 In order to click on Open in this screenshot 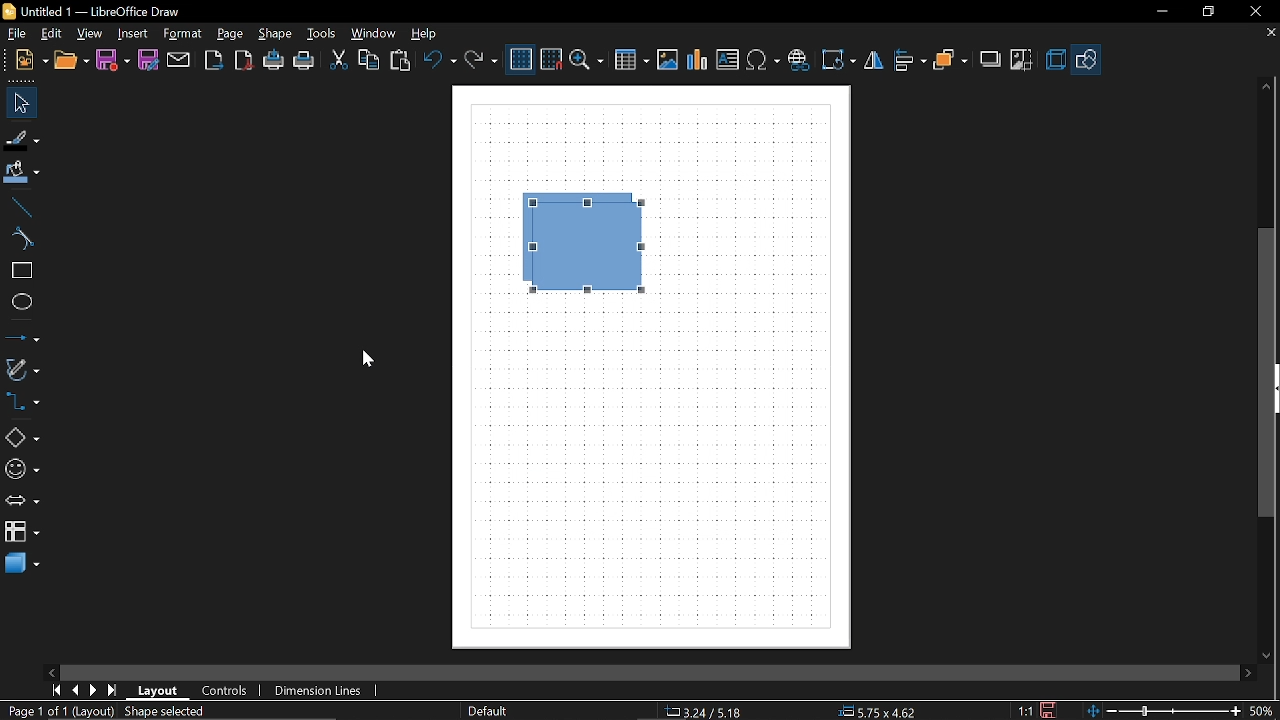, I will do `click(72, 62)`.